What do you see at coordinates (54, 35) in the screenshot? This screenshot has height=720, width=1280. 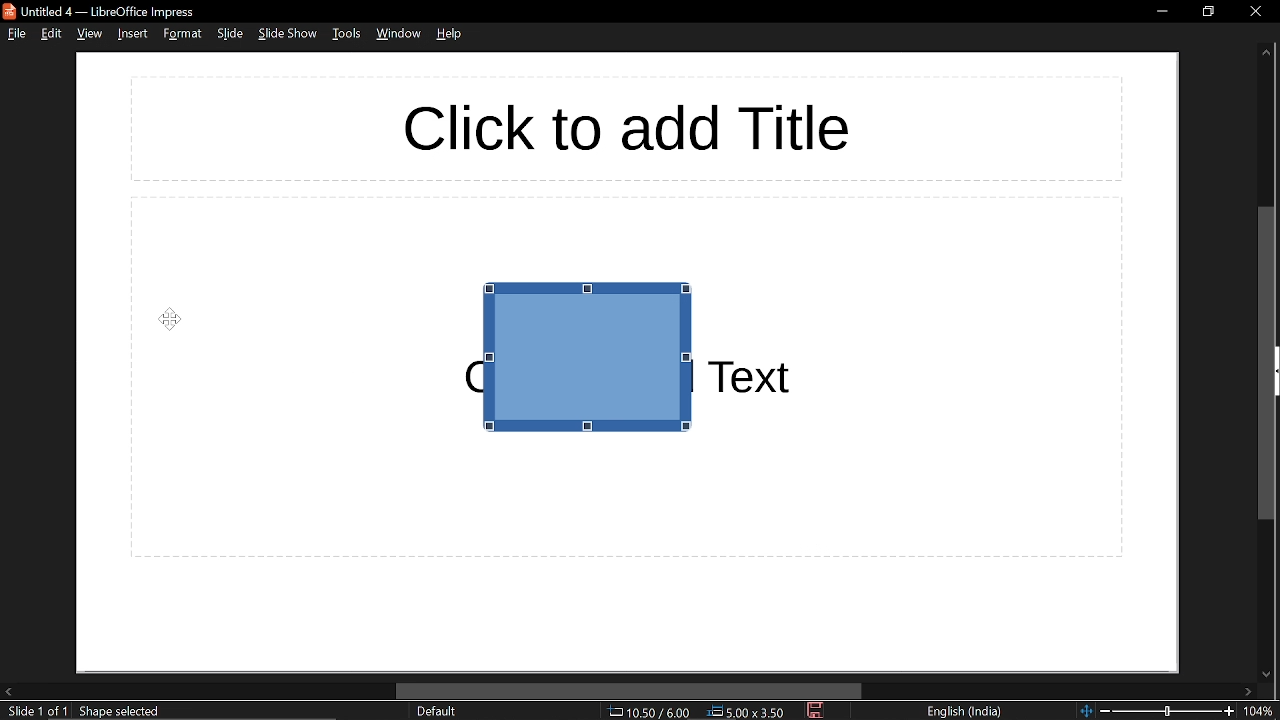 I see `edit` at bounding box center [54, 35].